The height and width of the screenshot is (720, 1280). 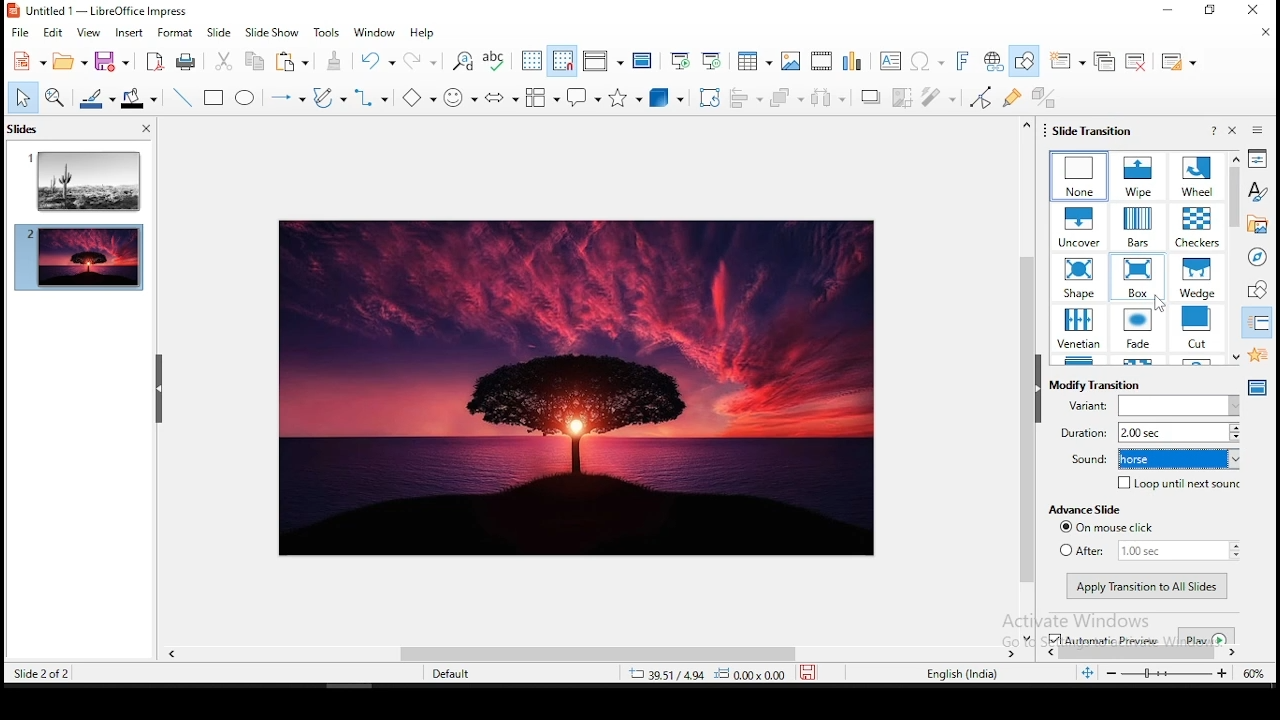 What do you see at coordinates (961, 62) in the screenshot?
I see `fontwork text` at bounding box center [961, 62].